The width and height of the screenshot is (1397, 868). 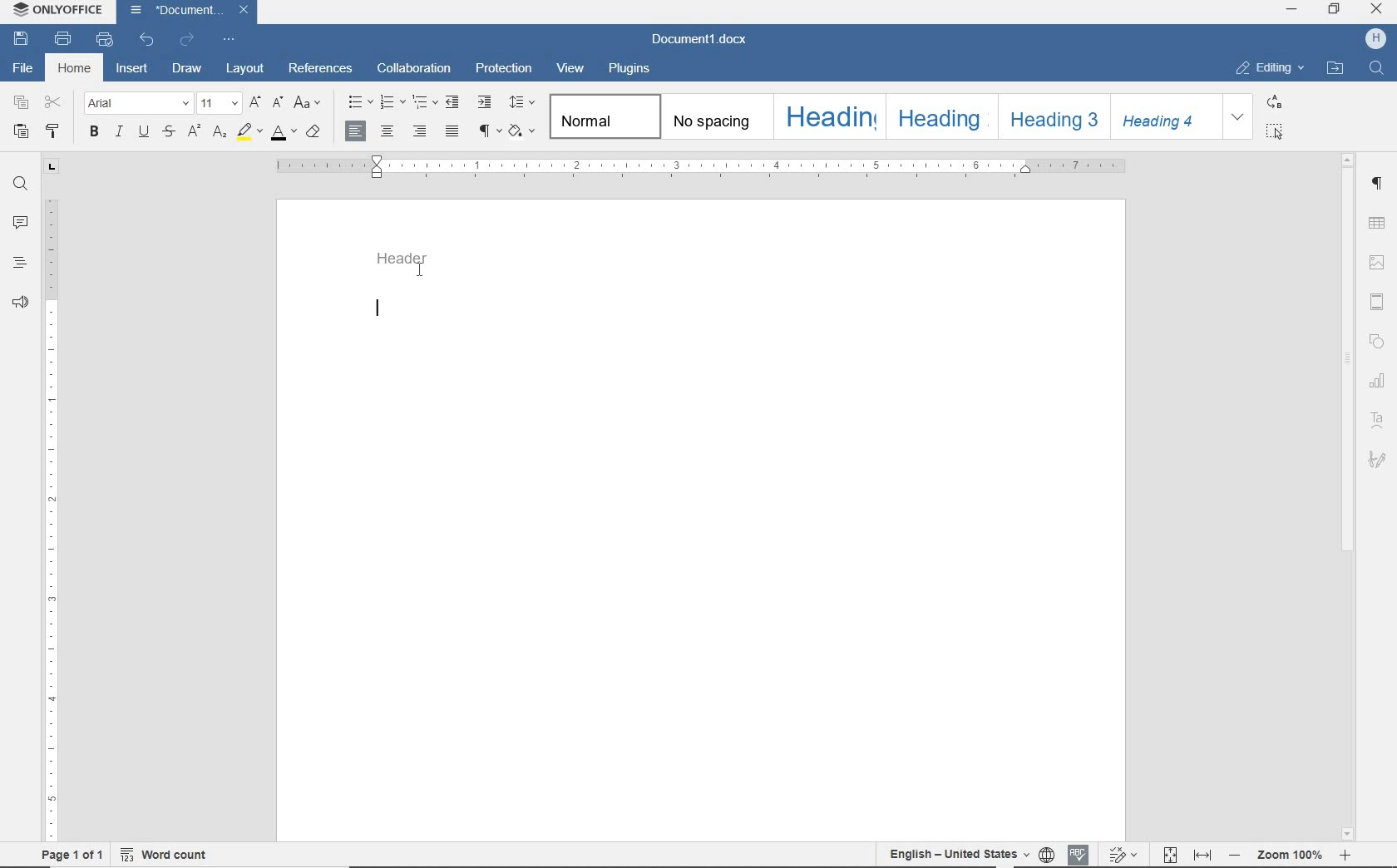 What do you see at coordinates (72, 856) in the screenshot?
I see `page 1 of 1` at bounding box center [72, 856].